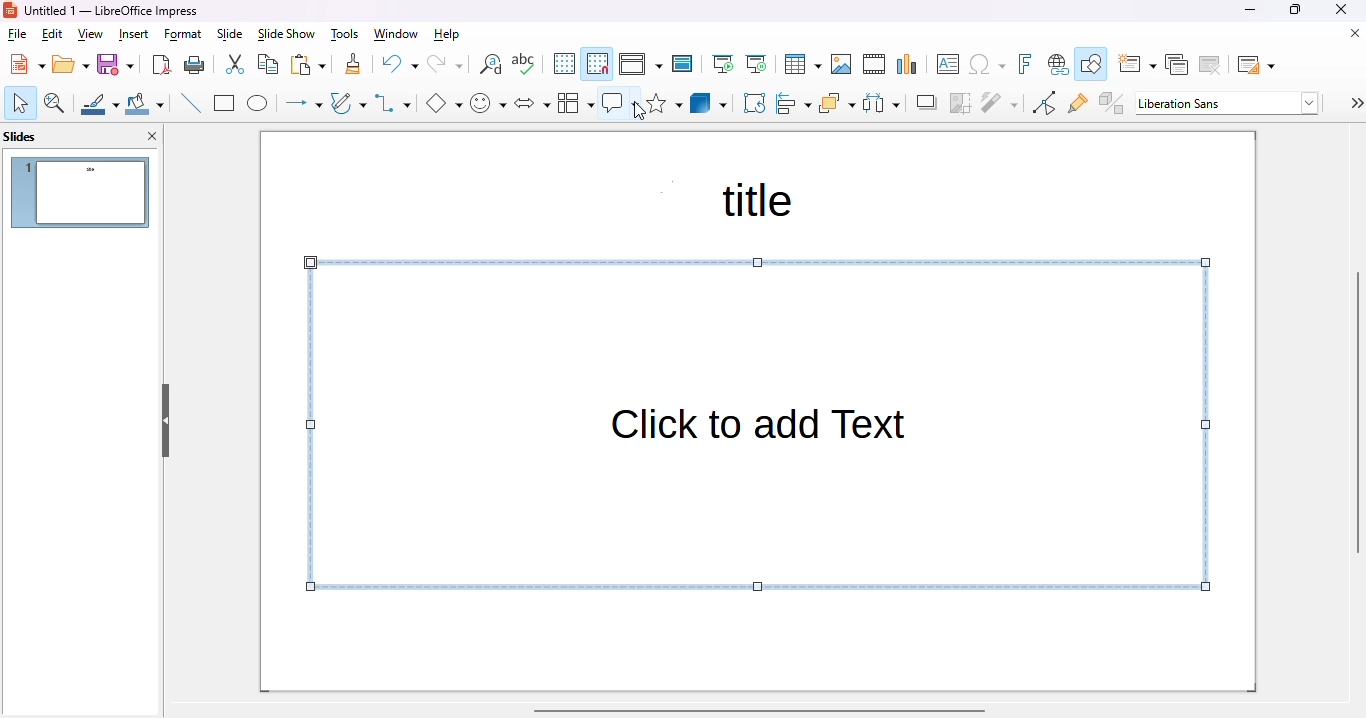 The height and width of the screenshot is (718, 1366). I want to click on new slide, so click(1137, 64).